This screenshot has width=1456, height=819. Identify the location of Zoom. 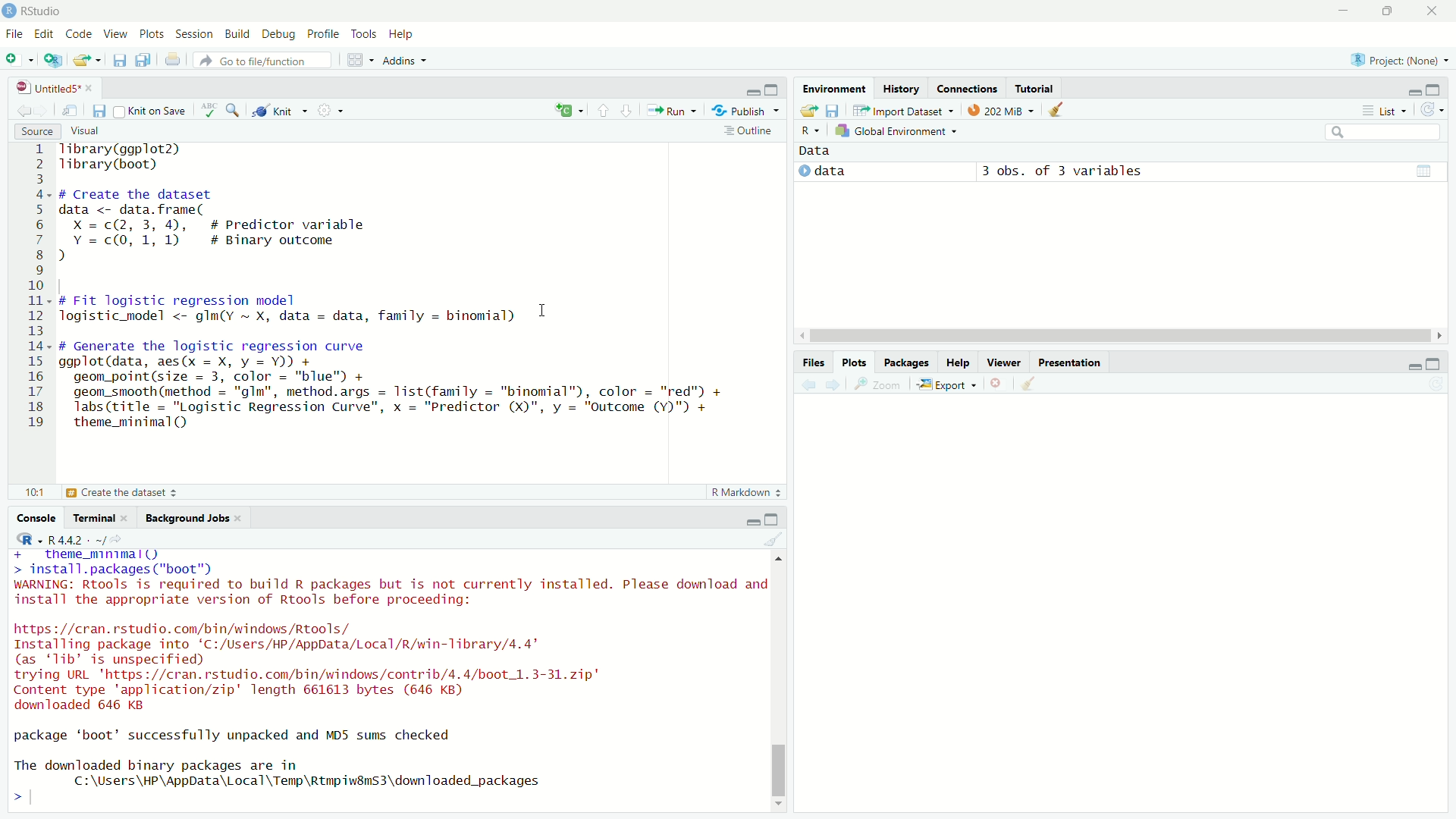
(876, 384).